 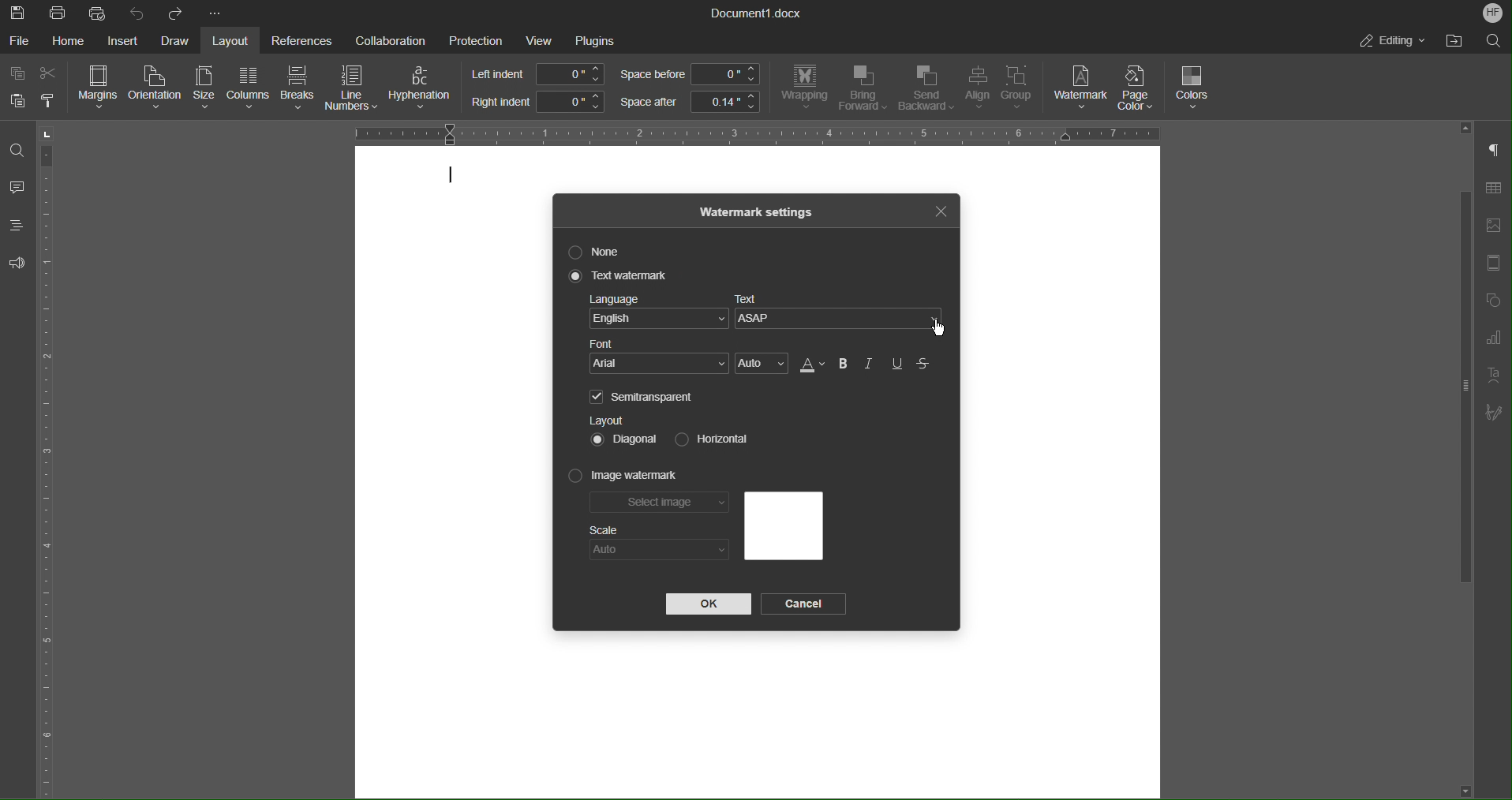 I want to click on Plugins, so click(x=595, y=41).